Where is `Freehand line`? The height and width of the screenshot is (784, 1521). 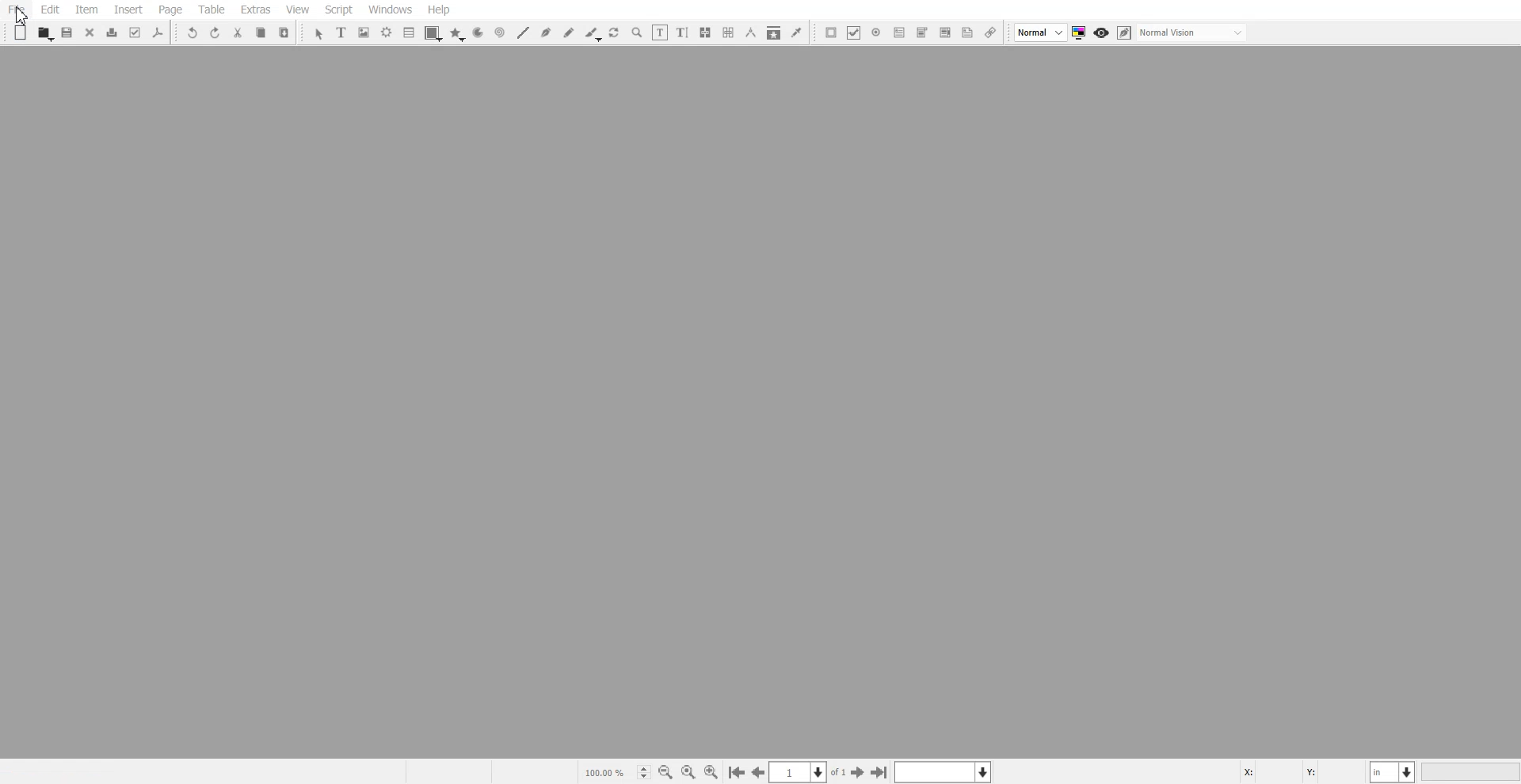 Freehand line is located at coordinates (569, 32).